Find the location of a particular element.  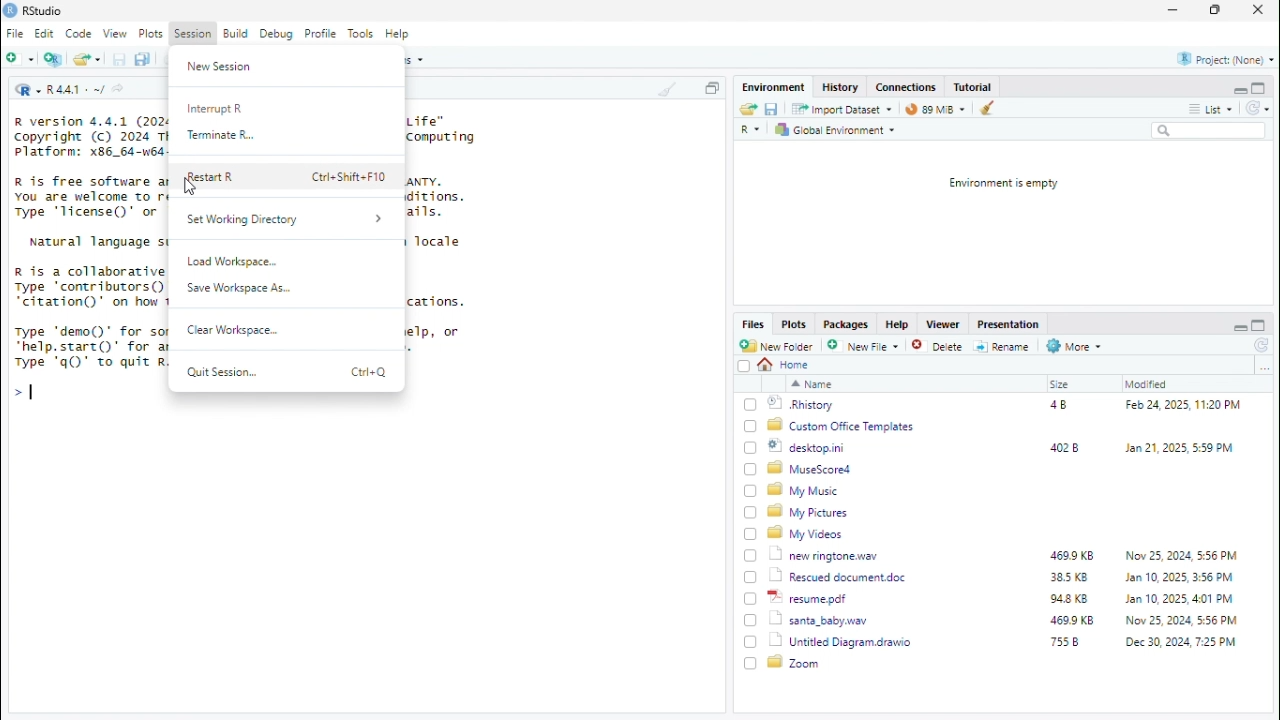

send file is located at coordinates (747, 109).